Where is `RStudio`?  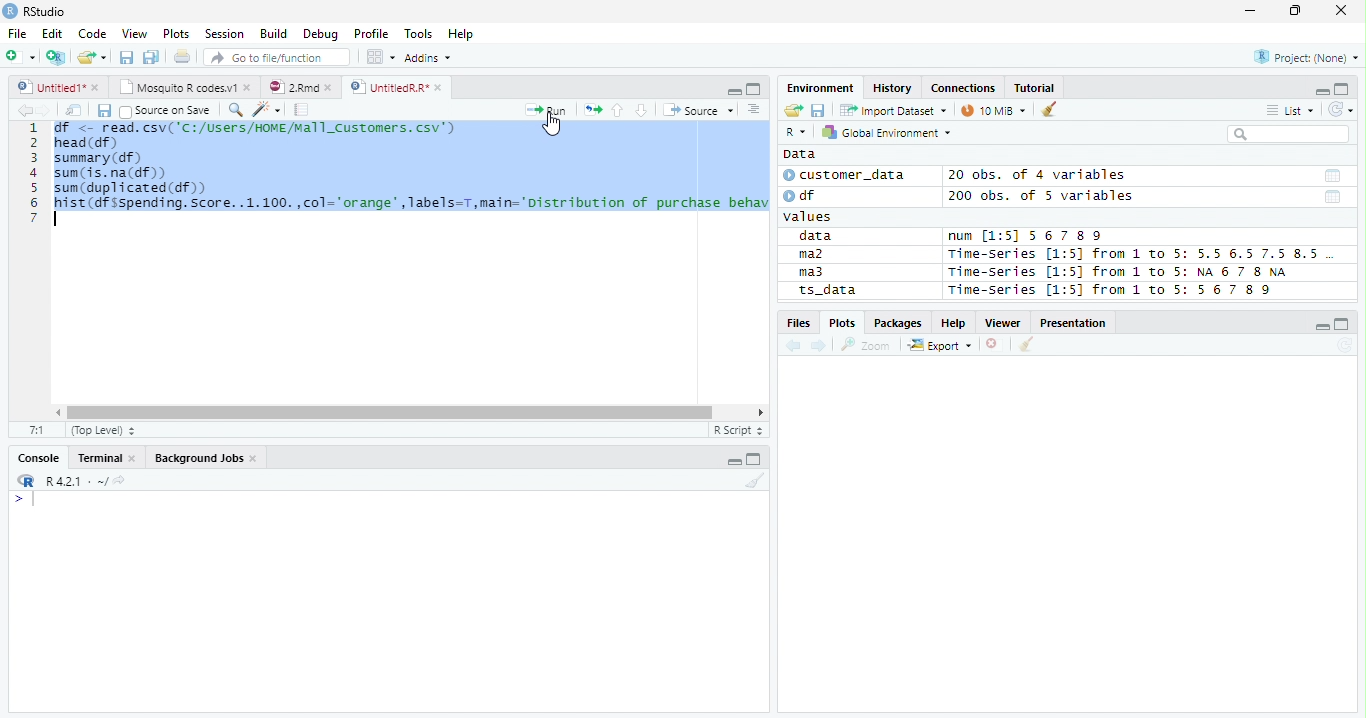
RStudio is located at coordinates (35, 12).